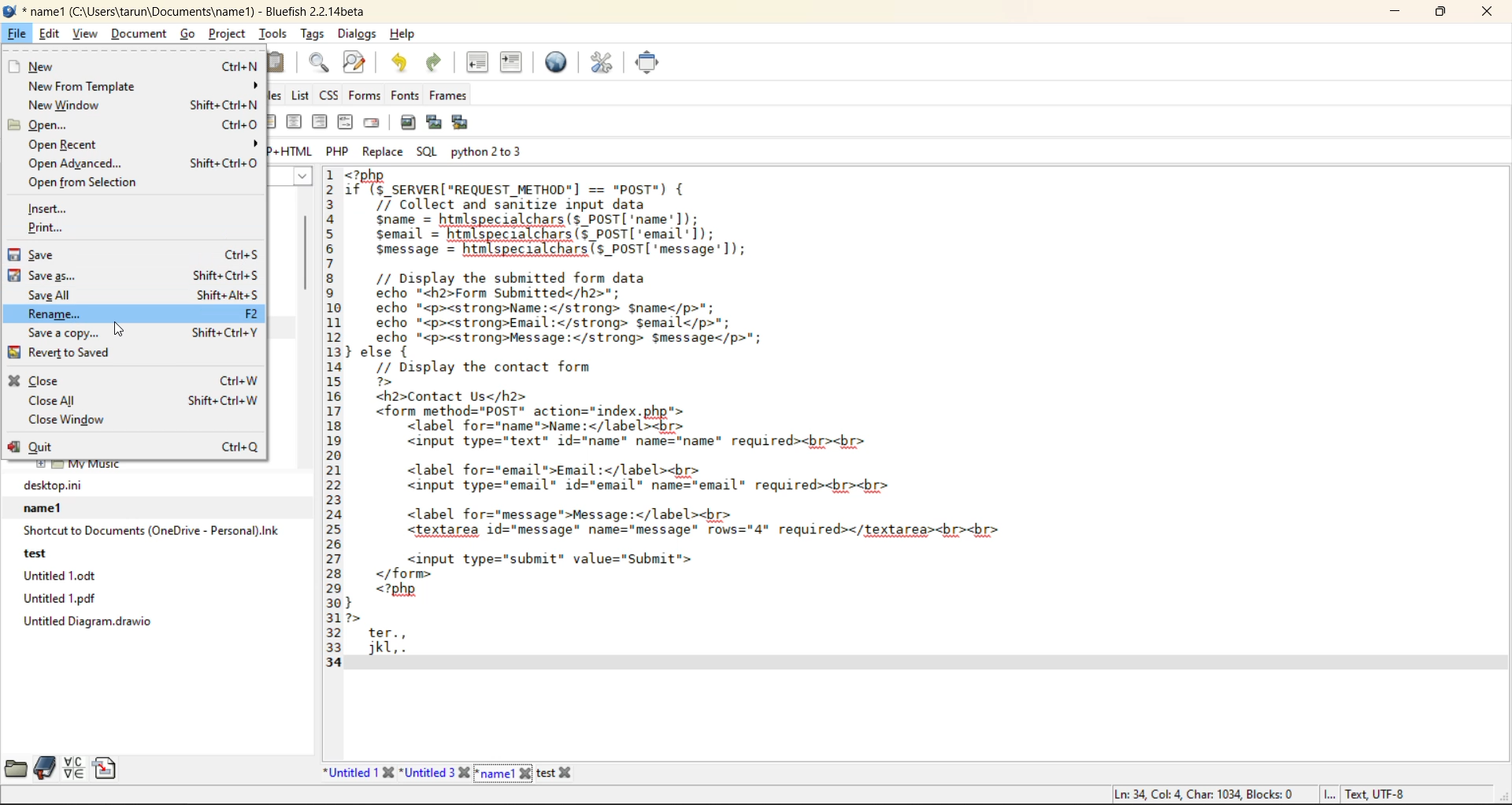  What do you see at coordinates (364, 95) in the screenshot?
I see `forms` at bounding box center [364, 95].